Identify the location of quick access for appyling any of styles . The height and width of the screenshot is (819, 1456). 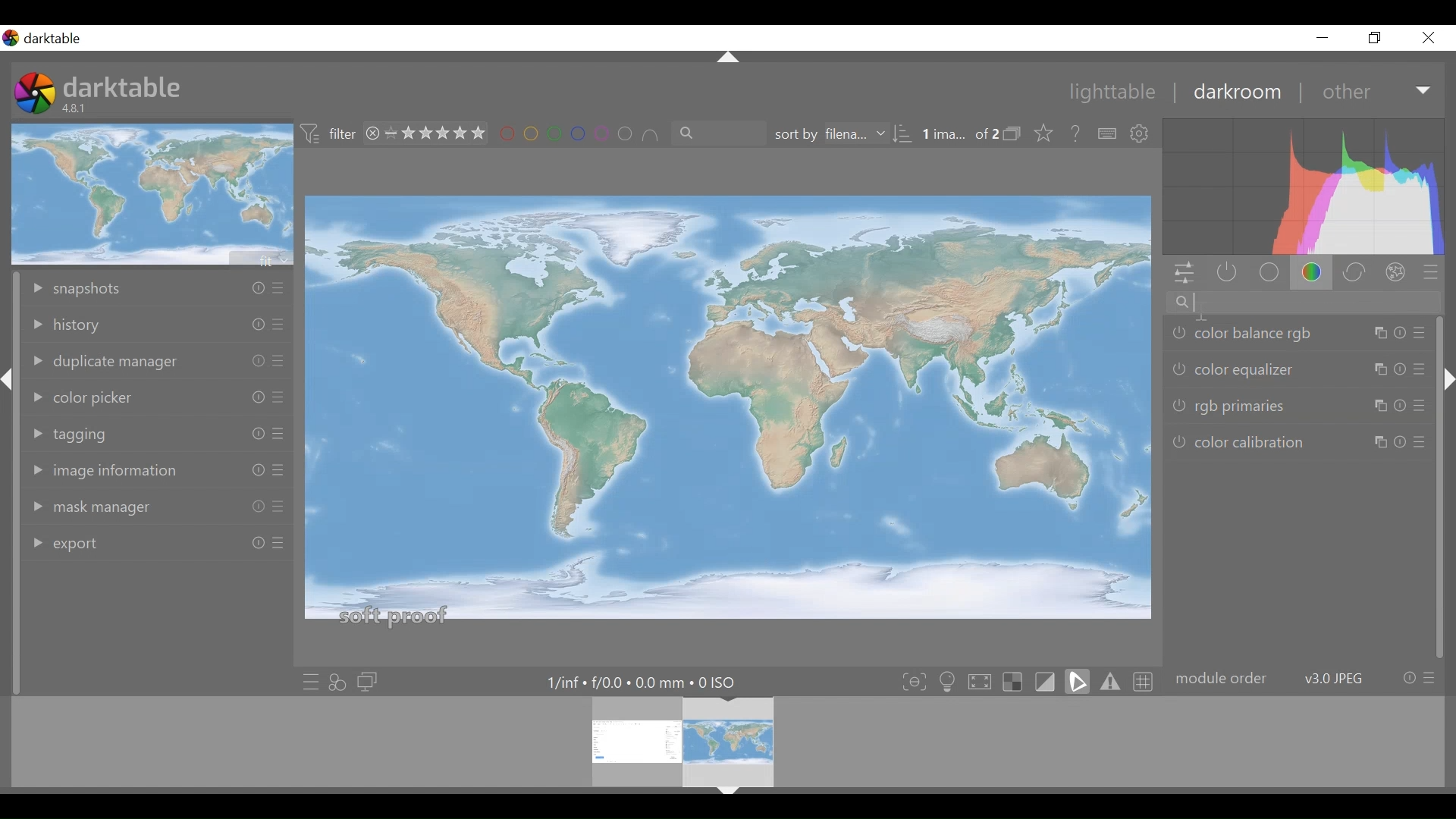
(337, 682).